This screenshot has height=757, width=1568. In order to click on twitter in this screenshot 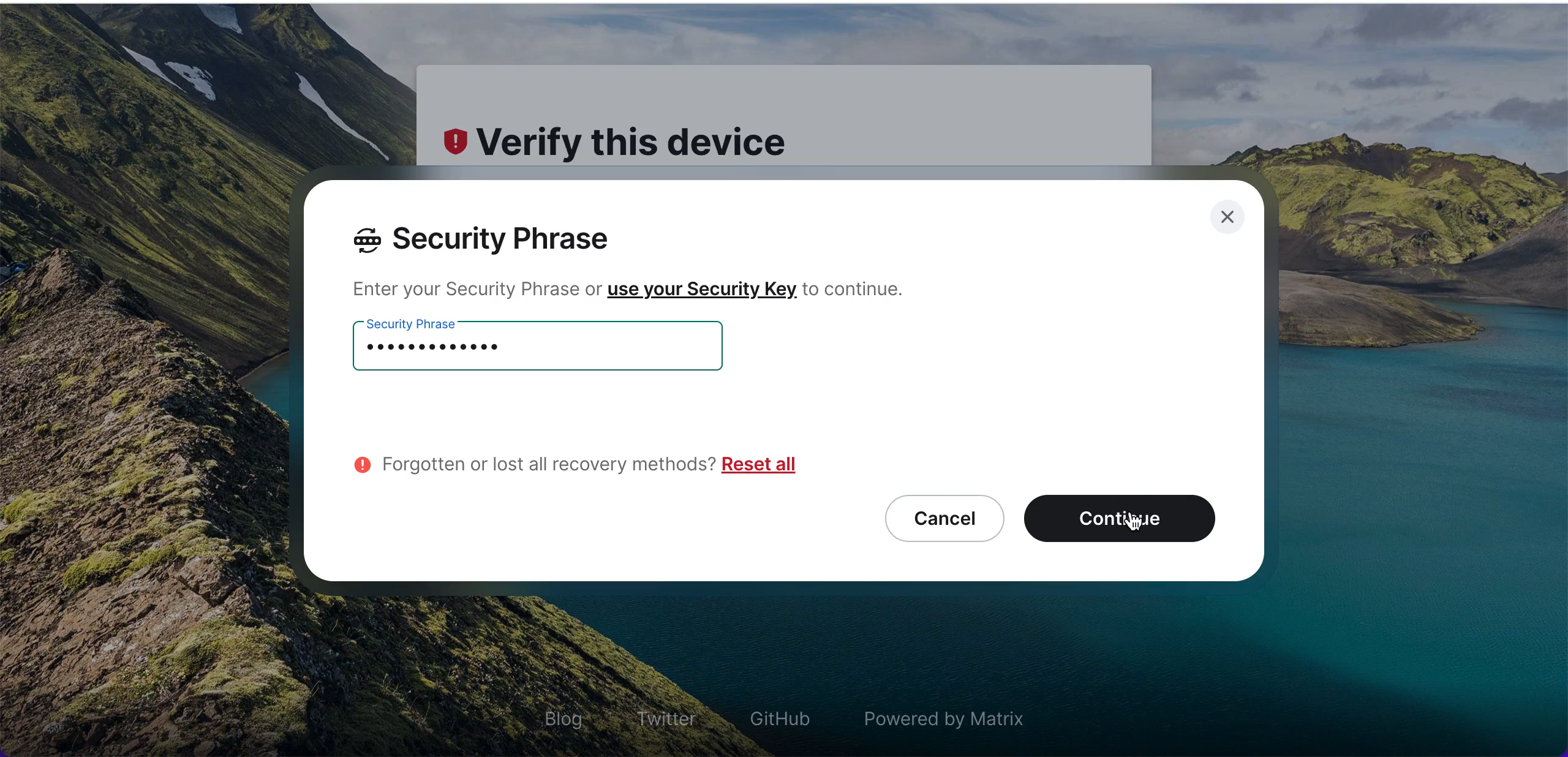, I will do `click(666, 711)`.